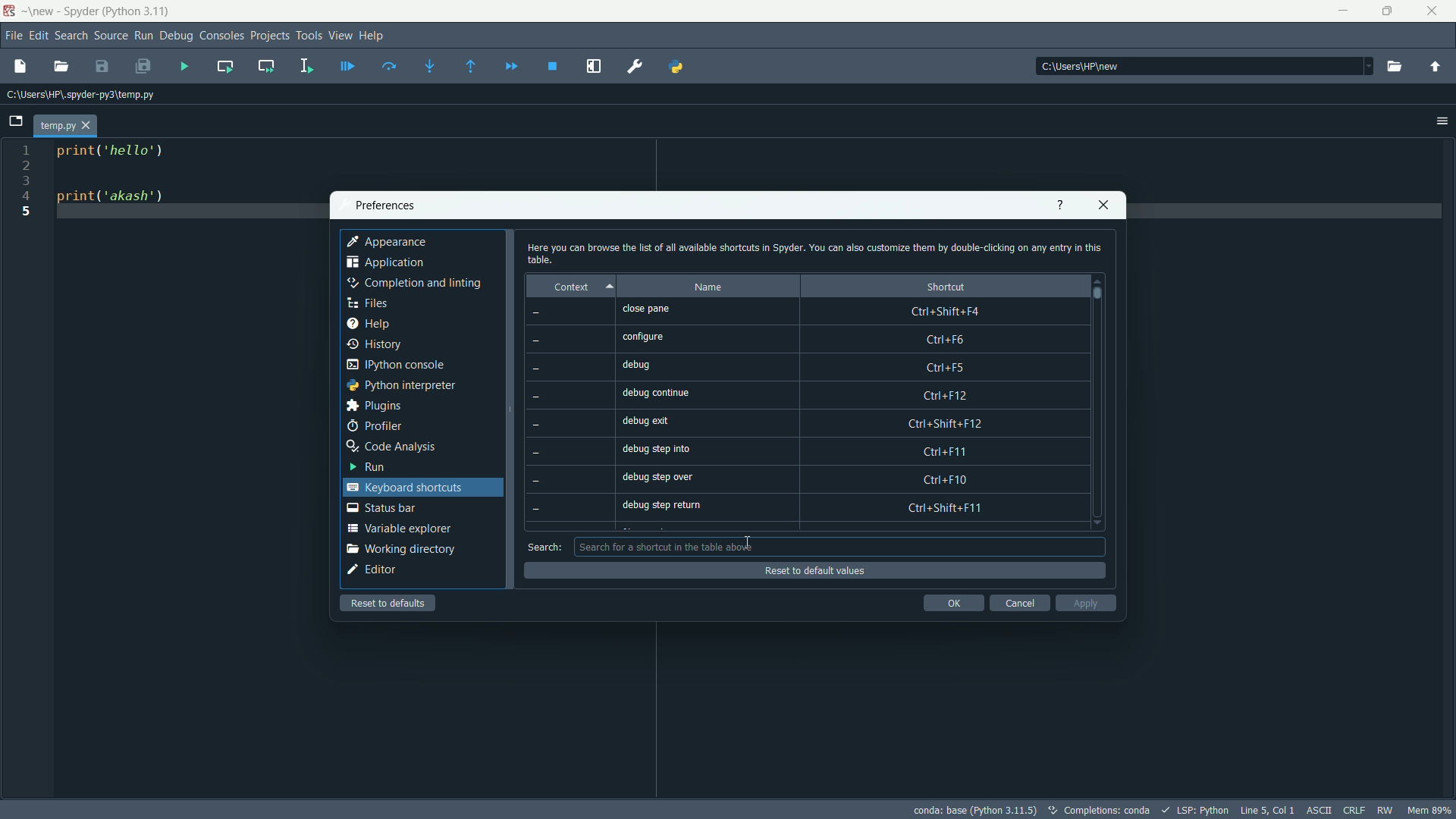 This screenshot has width=1456, height=819. What do you see at coordinates (545, 547) in the screenshot?
I see ` search: ` at bounding box center [545, 547].